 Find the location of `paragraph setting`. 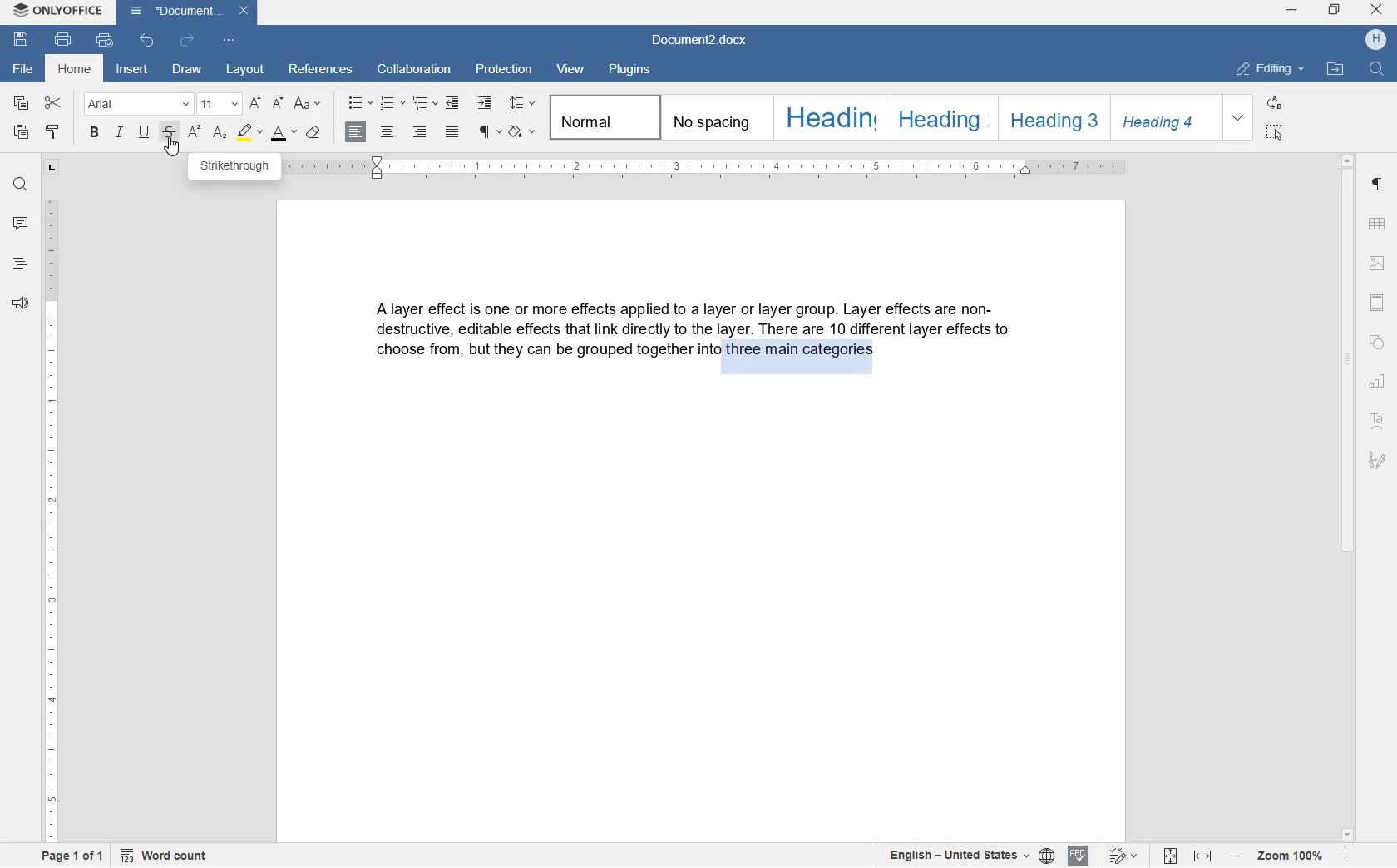

paragraph setting is located at coordinates (1378, 185).